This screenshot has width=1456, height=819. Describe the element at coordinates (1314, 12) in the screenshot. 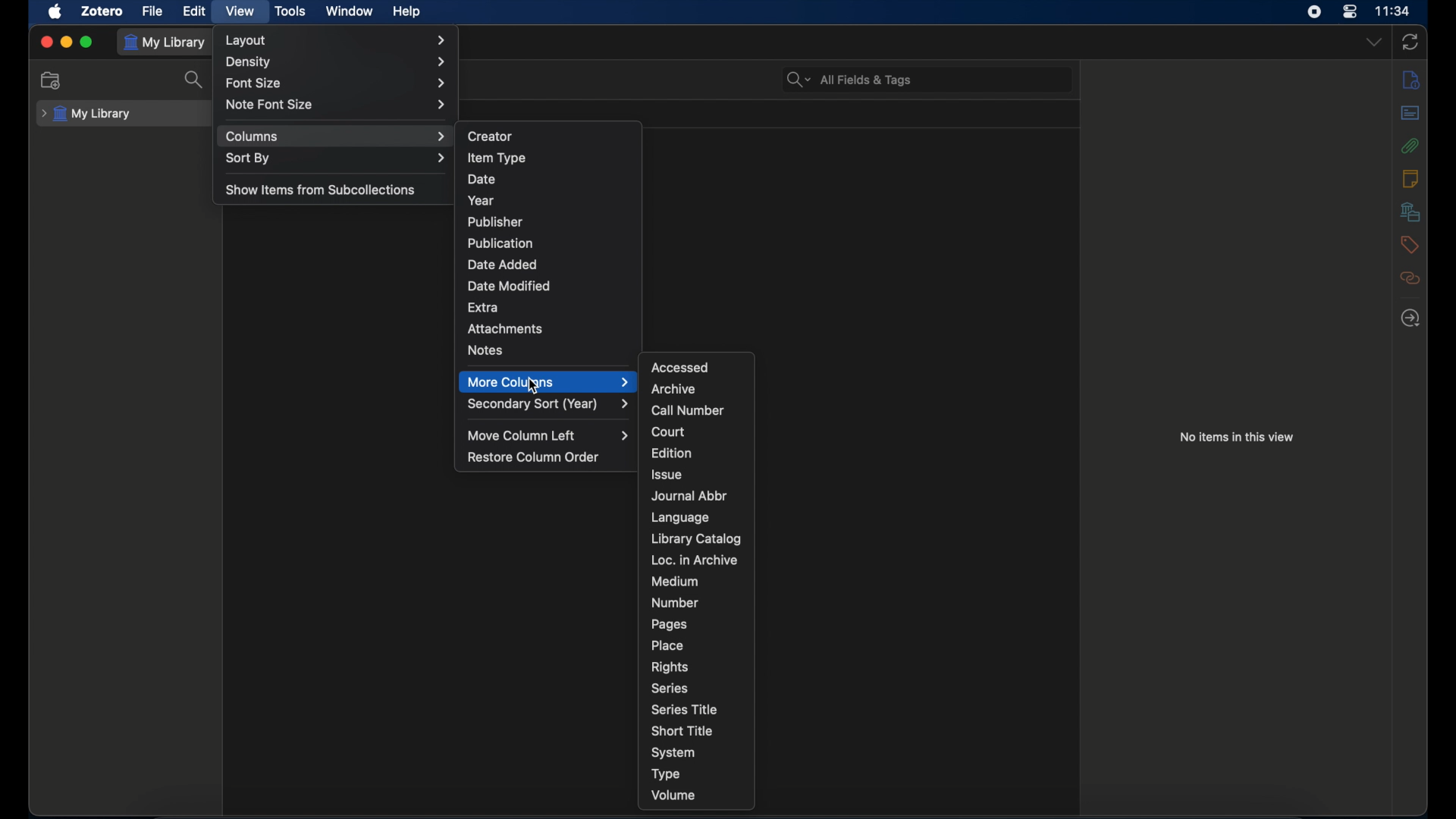

I see `screen recorder` at that location.